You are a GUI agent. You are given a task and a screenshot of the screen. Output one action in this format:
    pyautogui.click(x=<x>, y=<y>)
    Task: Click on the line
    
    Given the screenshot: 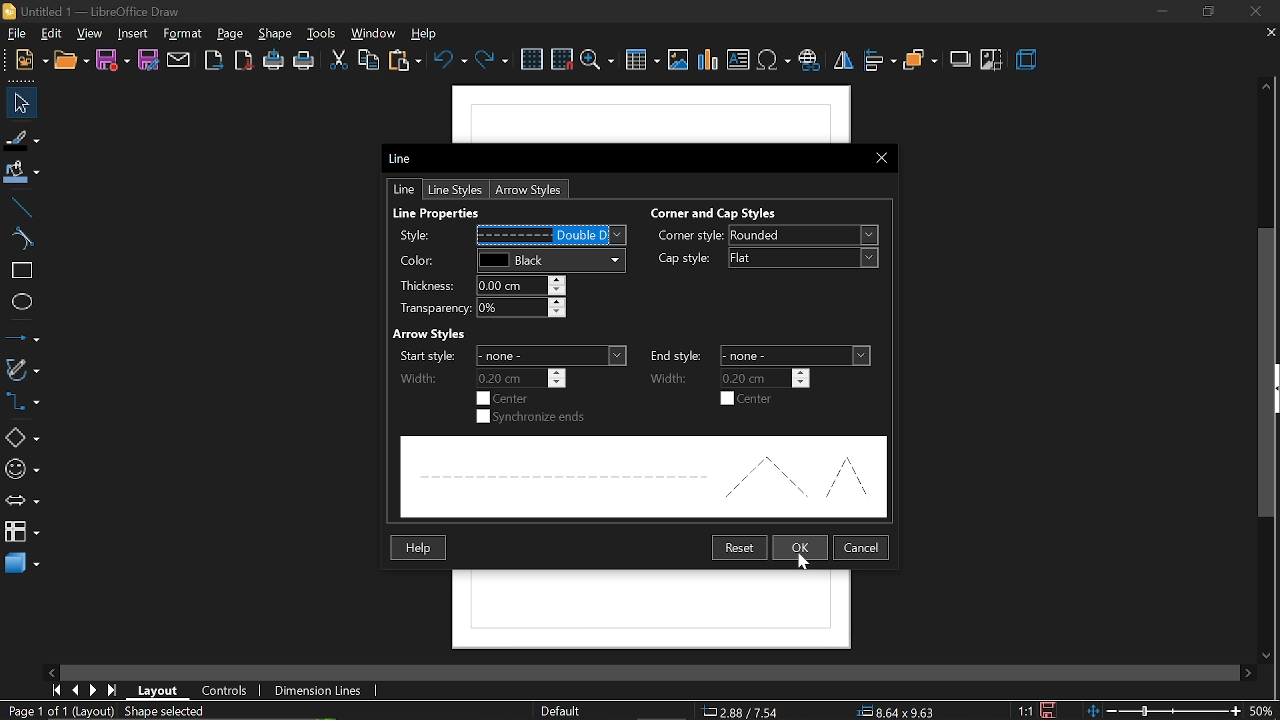 What is the action you would take?
    pyautogui.click(x=402, y=189)
    